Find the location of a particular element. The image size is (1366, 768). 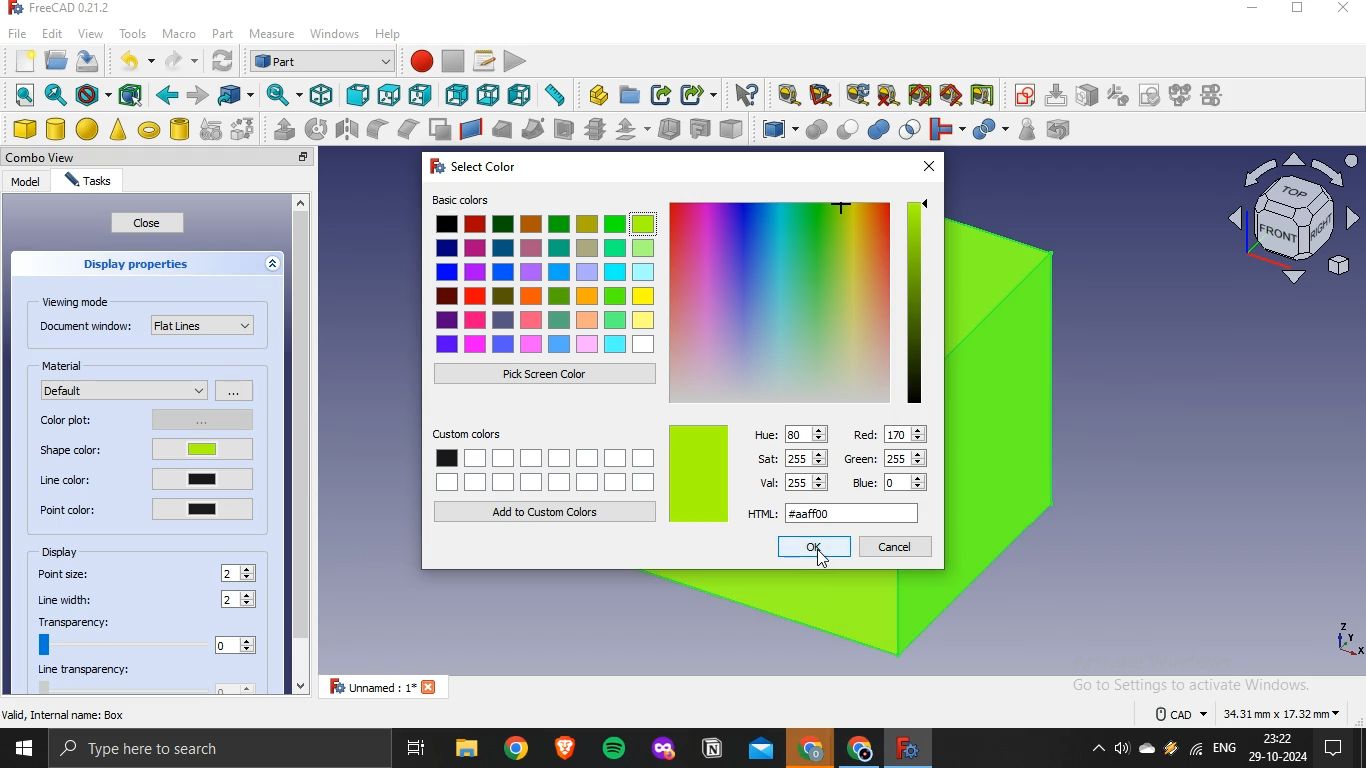

close is located at coordinates (304, 158).